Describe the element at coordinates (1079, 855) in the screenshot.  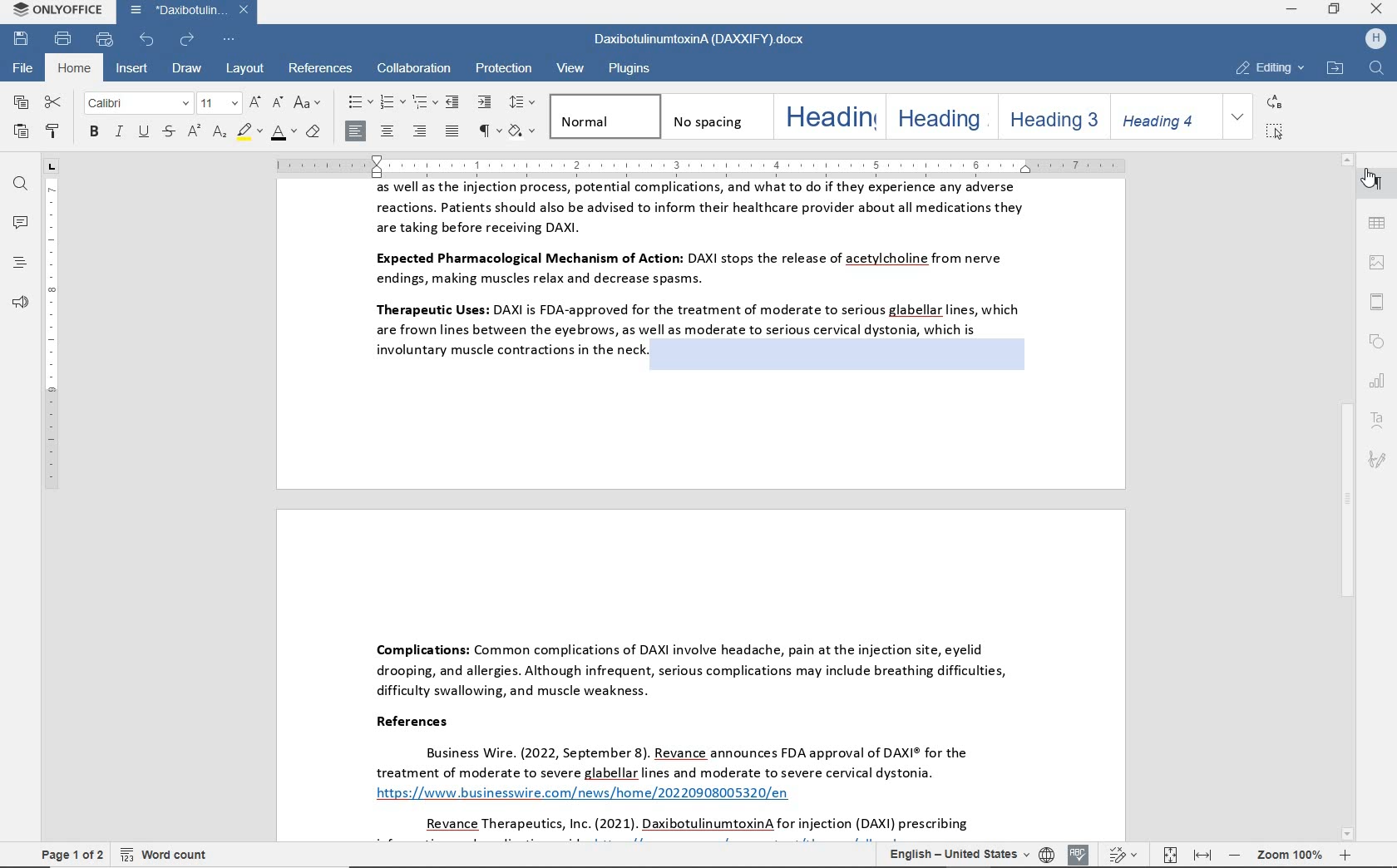
I see `spell checking` at that location.